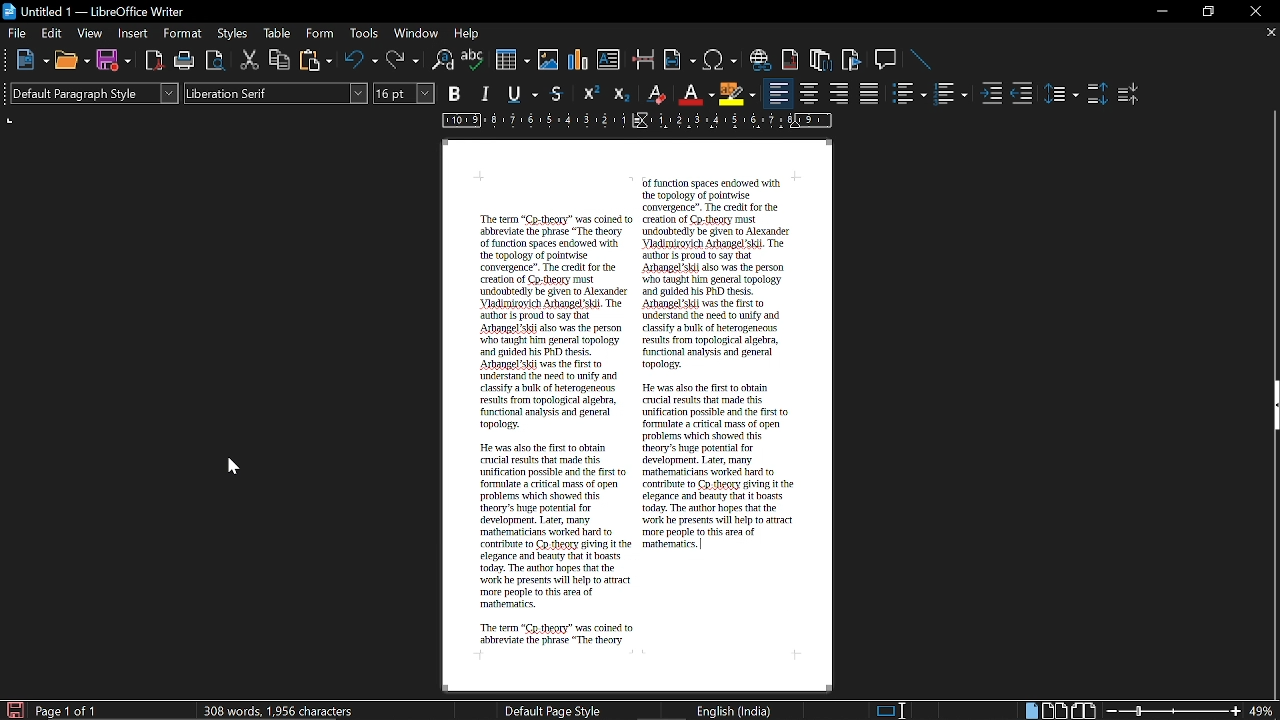 This screenshot has width=1280, height=720. Describe the element at coordinates (654, 94) in the screenshot. I see `Eraser` at that location.